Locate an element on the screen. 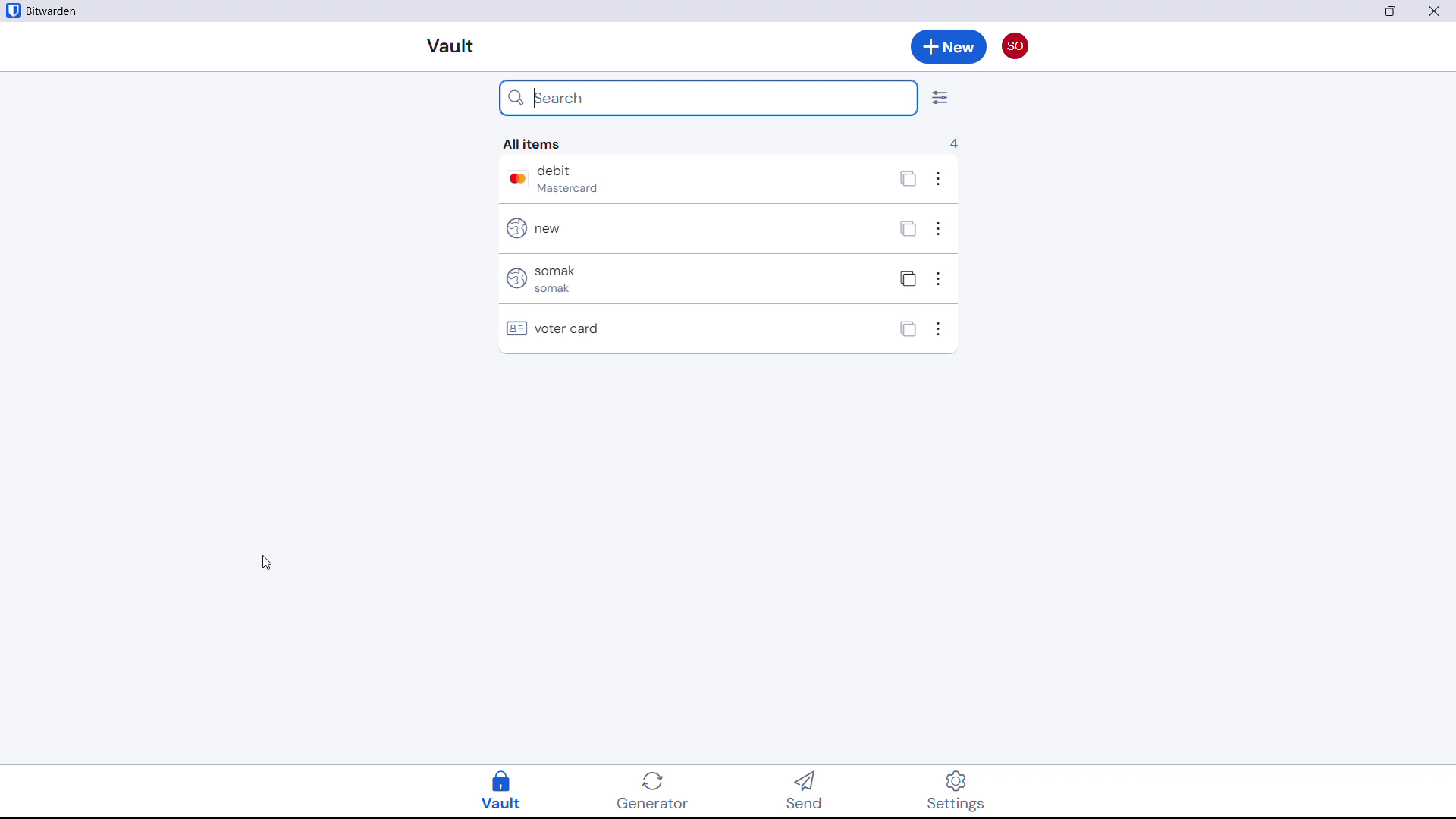 Image resolution: width=1456 pixels, height=819 pixels. logo "somak" is located at coordinates (514, 279).